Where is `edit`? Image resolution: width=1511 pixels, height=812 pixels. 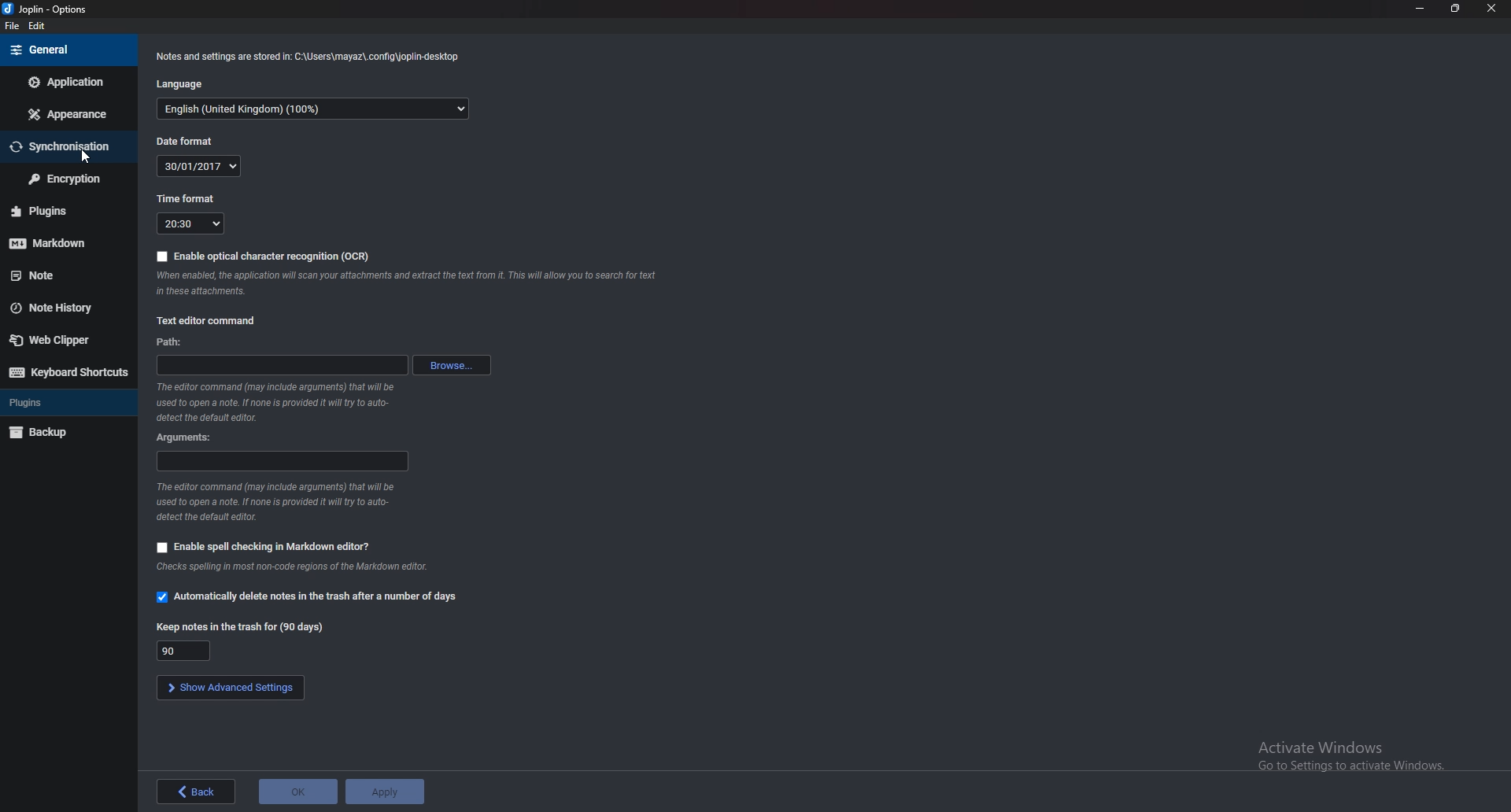
edit is located at coordinates (38, 24).